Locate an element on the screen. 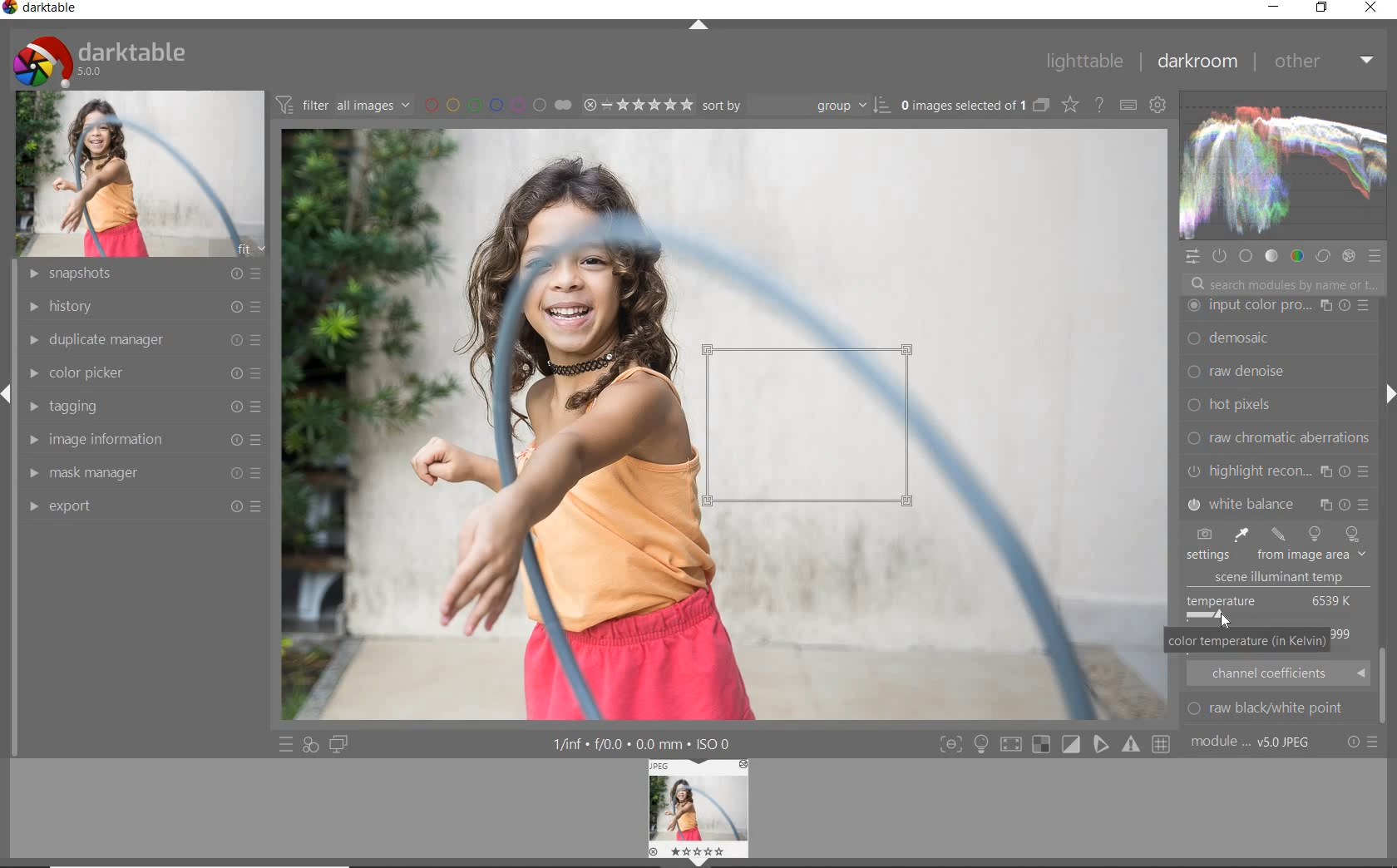 This screenshot has width=1397, height=868. dither or paste is located at coordinates (1274, 372).